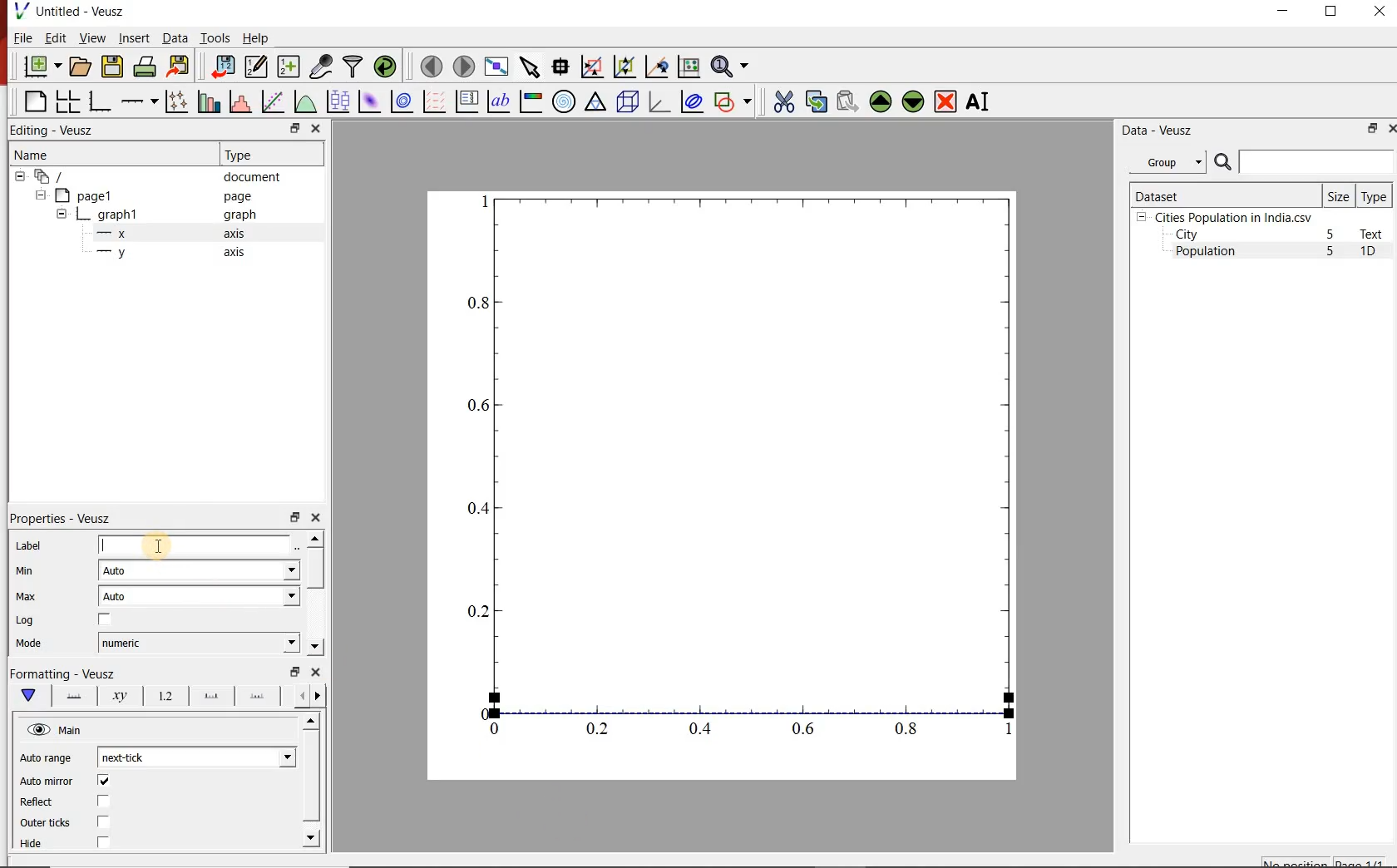  I want to click on restore, so click(1373, 128).